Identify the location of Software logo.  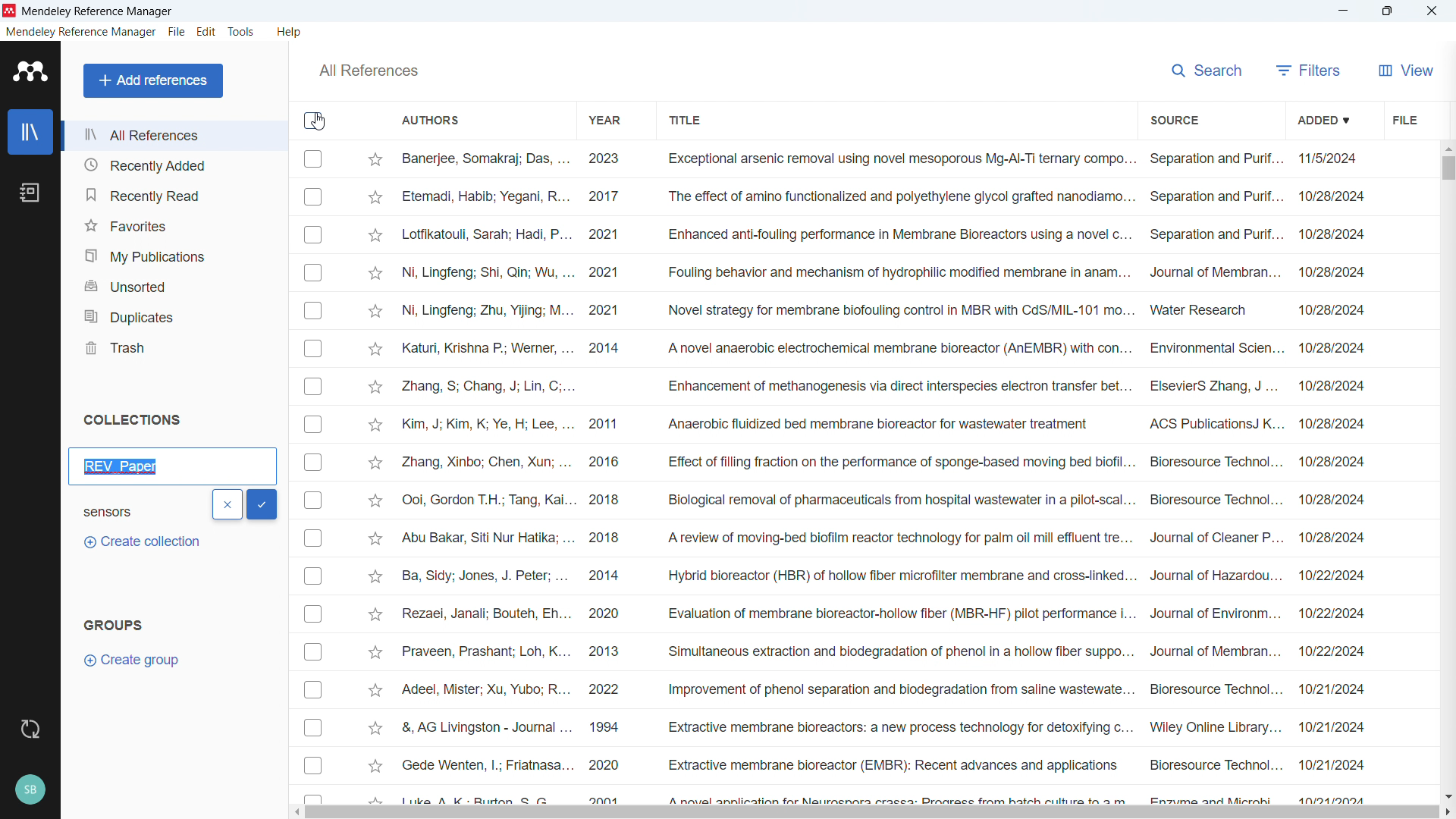
(28, 71).